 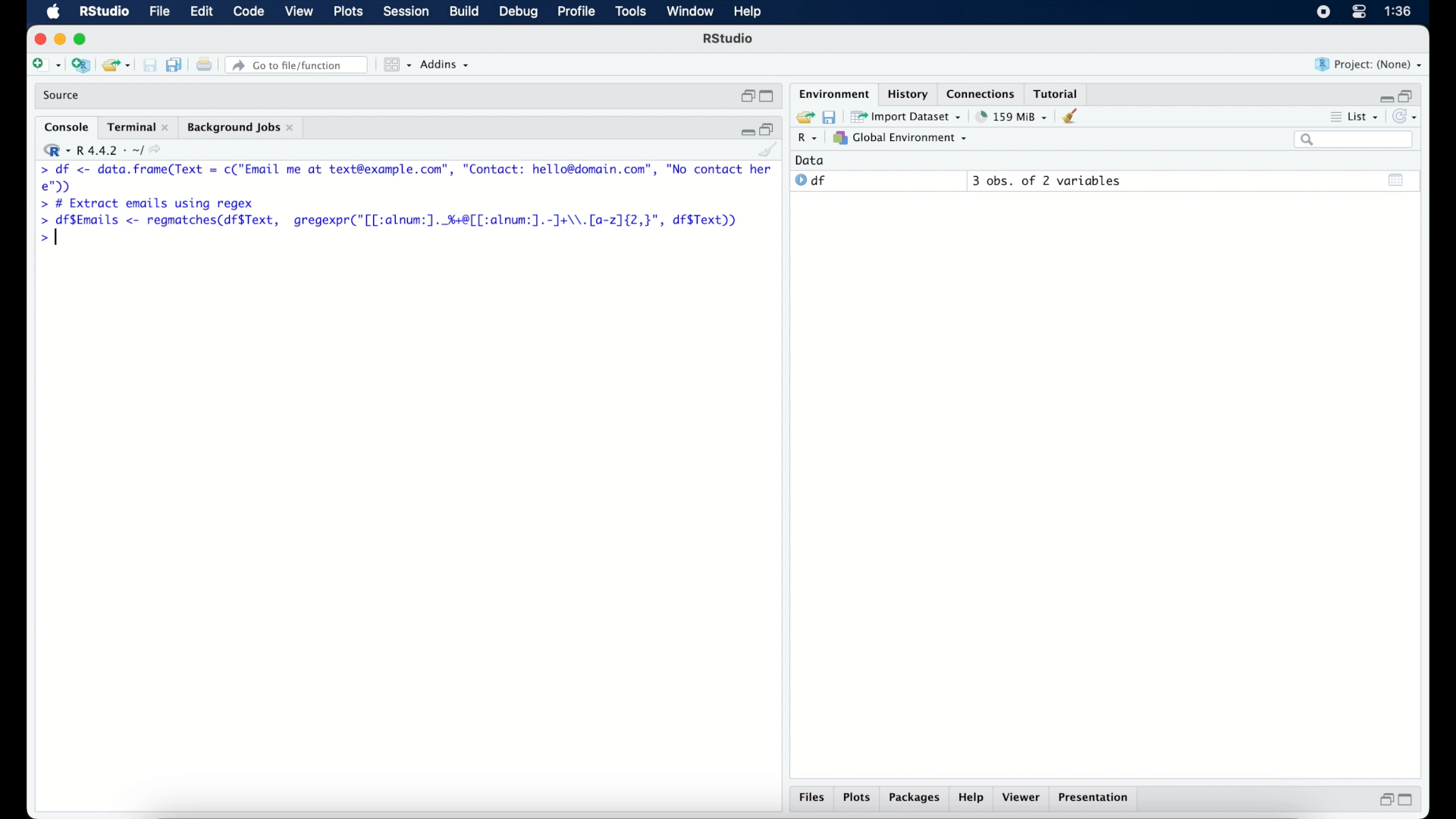 What do you see at coordinates (691, 13) in the screenshot?
I see `window` at bounding box center [691, 13].